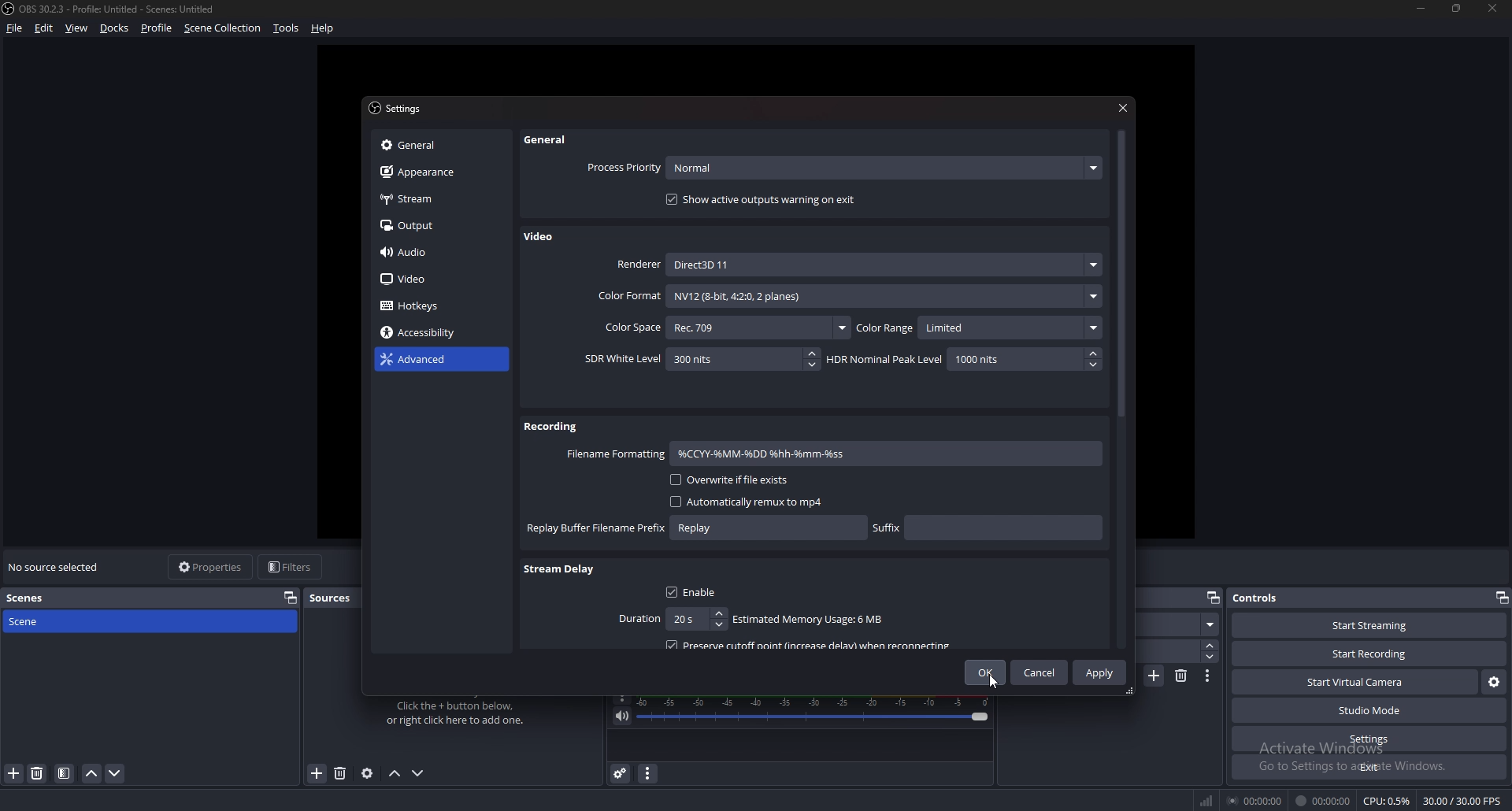 The height and width of the screenshot is (811, 1512). Describe the element at coordinates (844, 168) in the screenshot. I see `Process priority` at that location.